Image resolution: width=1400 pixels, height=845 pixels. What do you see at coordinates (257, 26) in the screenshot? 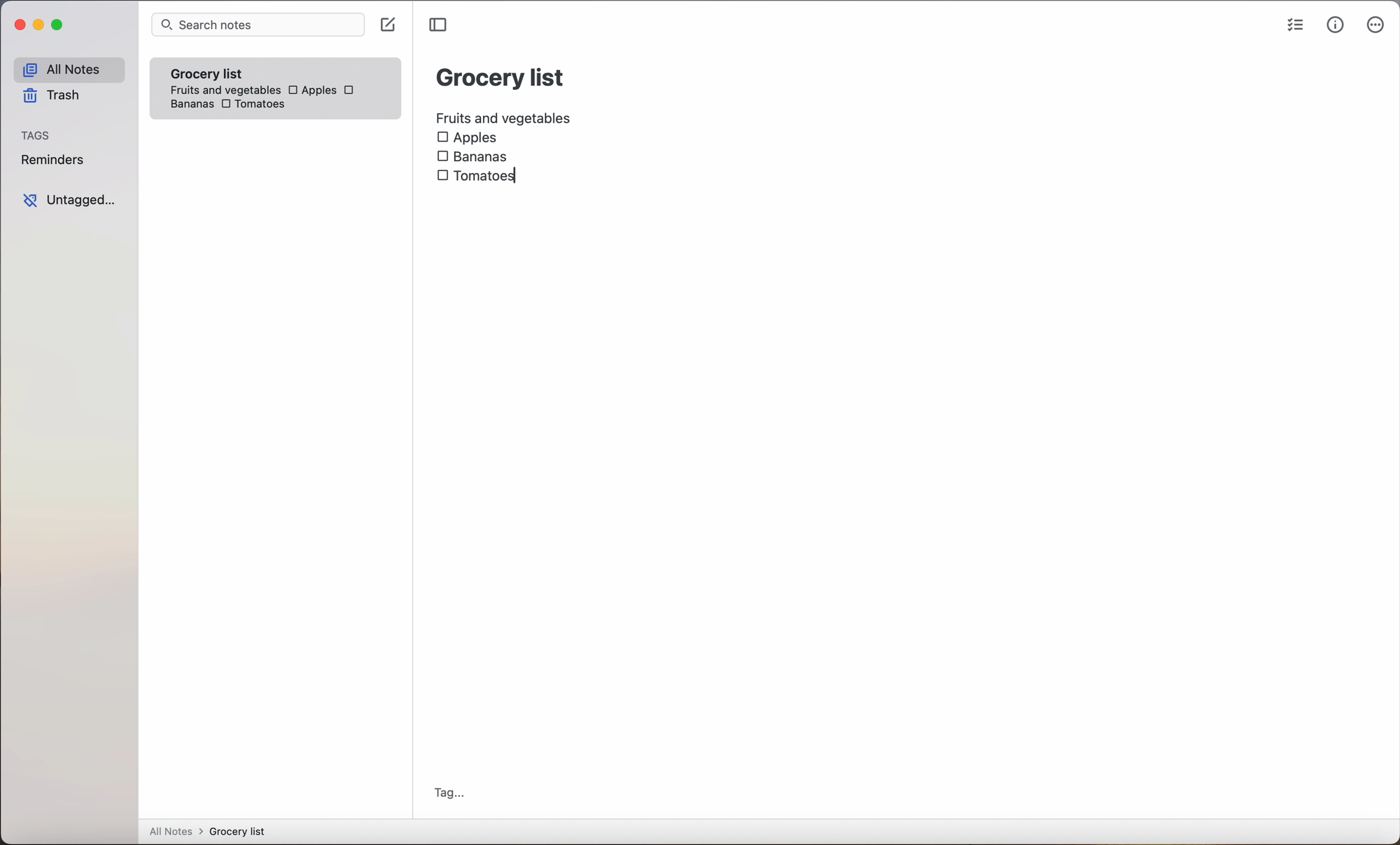
I see `search bar` at bounding box center [257, 26].